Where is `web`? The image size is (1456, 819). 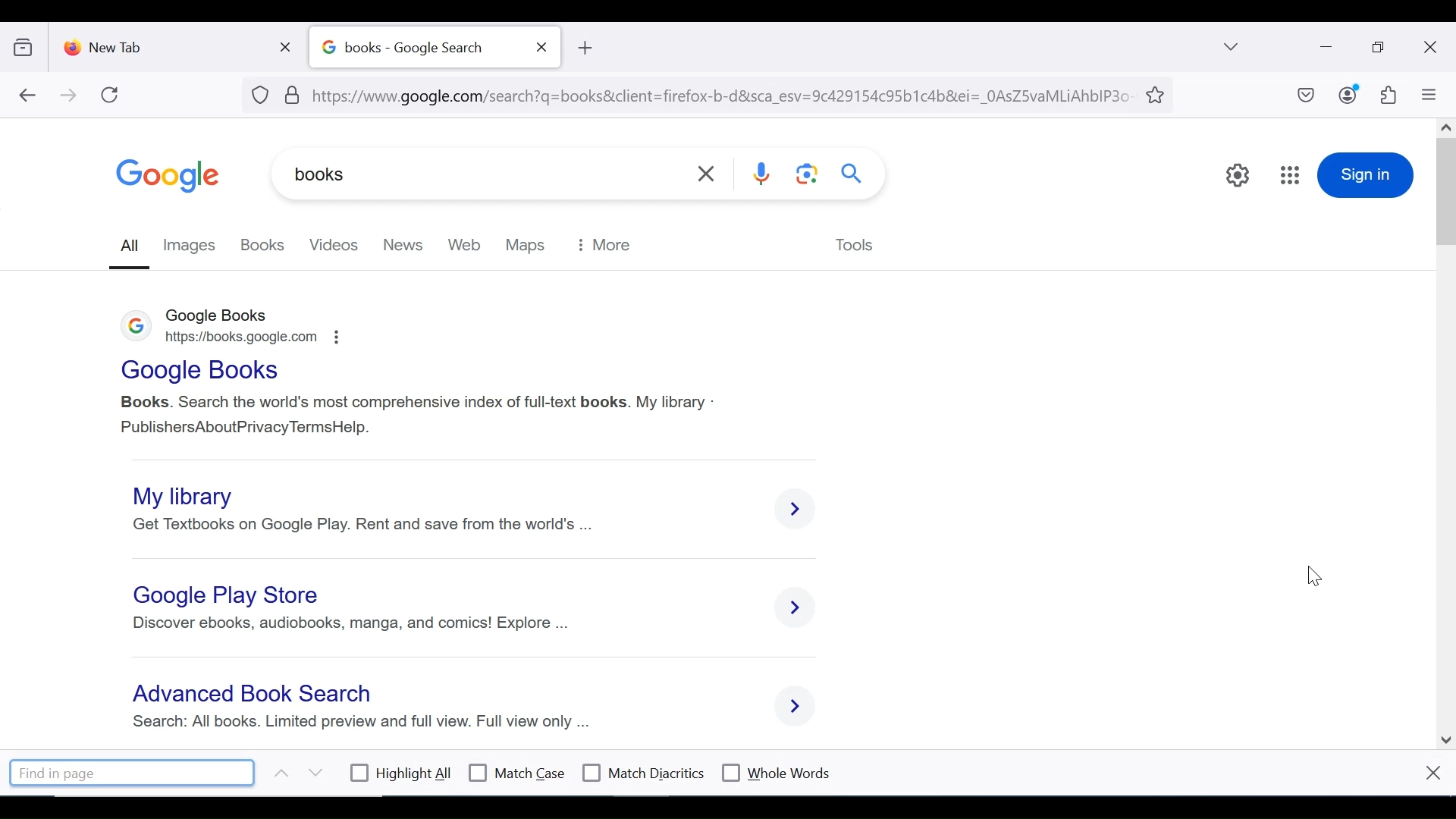 web is located at coordinates (466, 244).